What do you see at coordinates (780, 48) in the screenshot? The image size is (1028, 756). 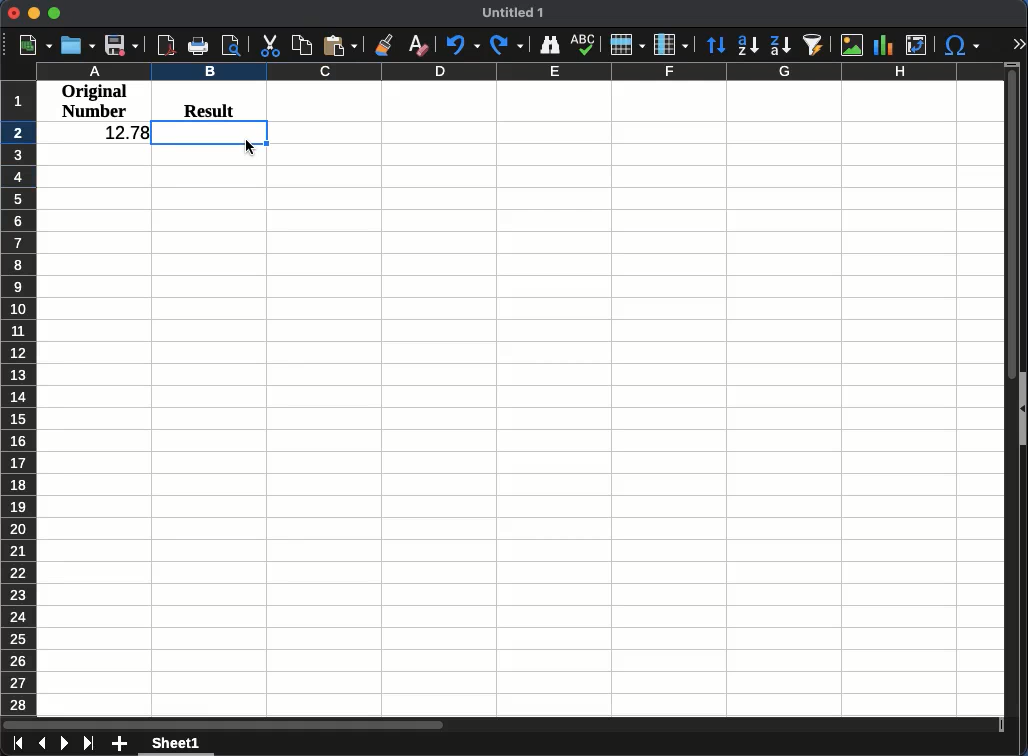 I see `decending ` at bounding box center [780, 48].